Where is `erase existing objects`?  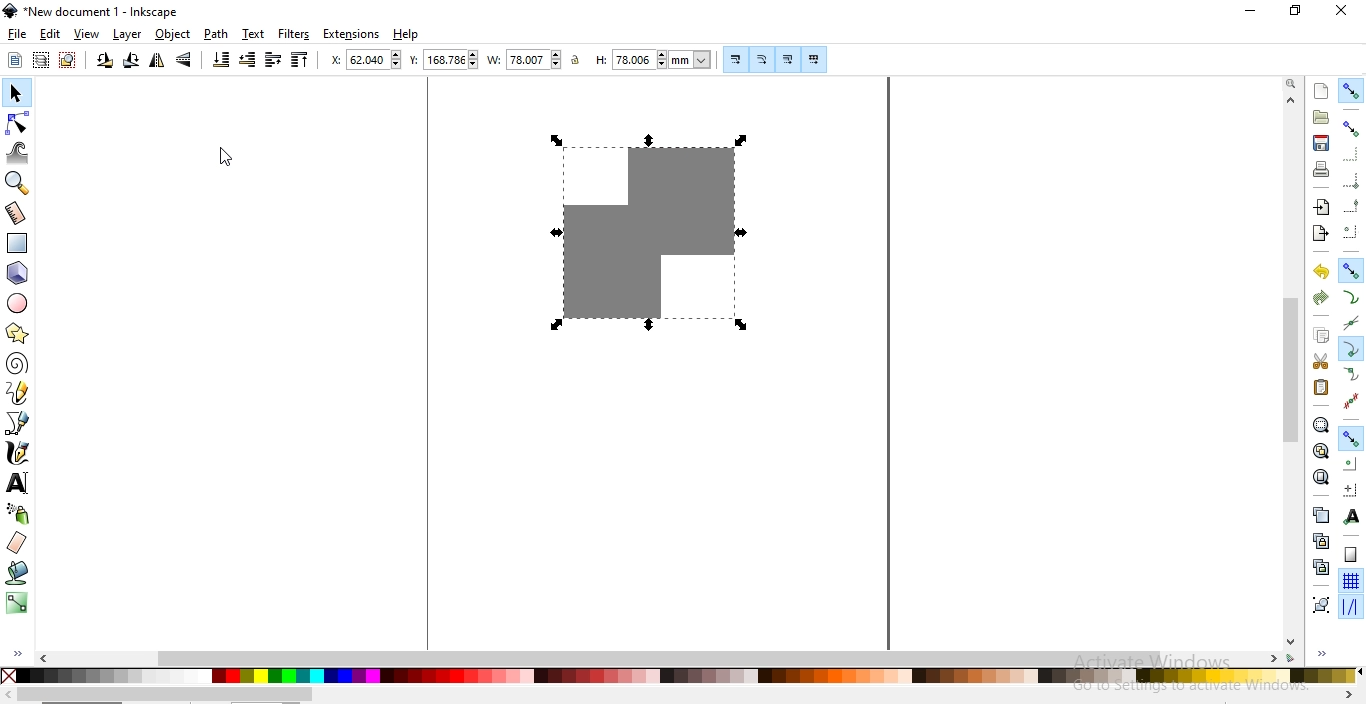
erase existing objects is located at coordinates (16, 542).